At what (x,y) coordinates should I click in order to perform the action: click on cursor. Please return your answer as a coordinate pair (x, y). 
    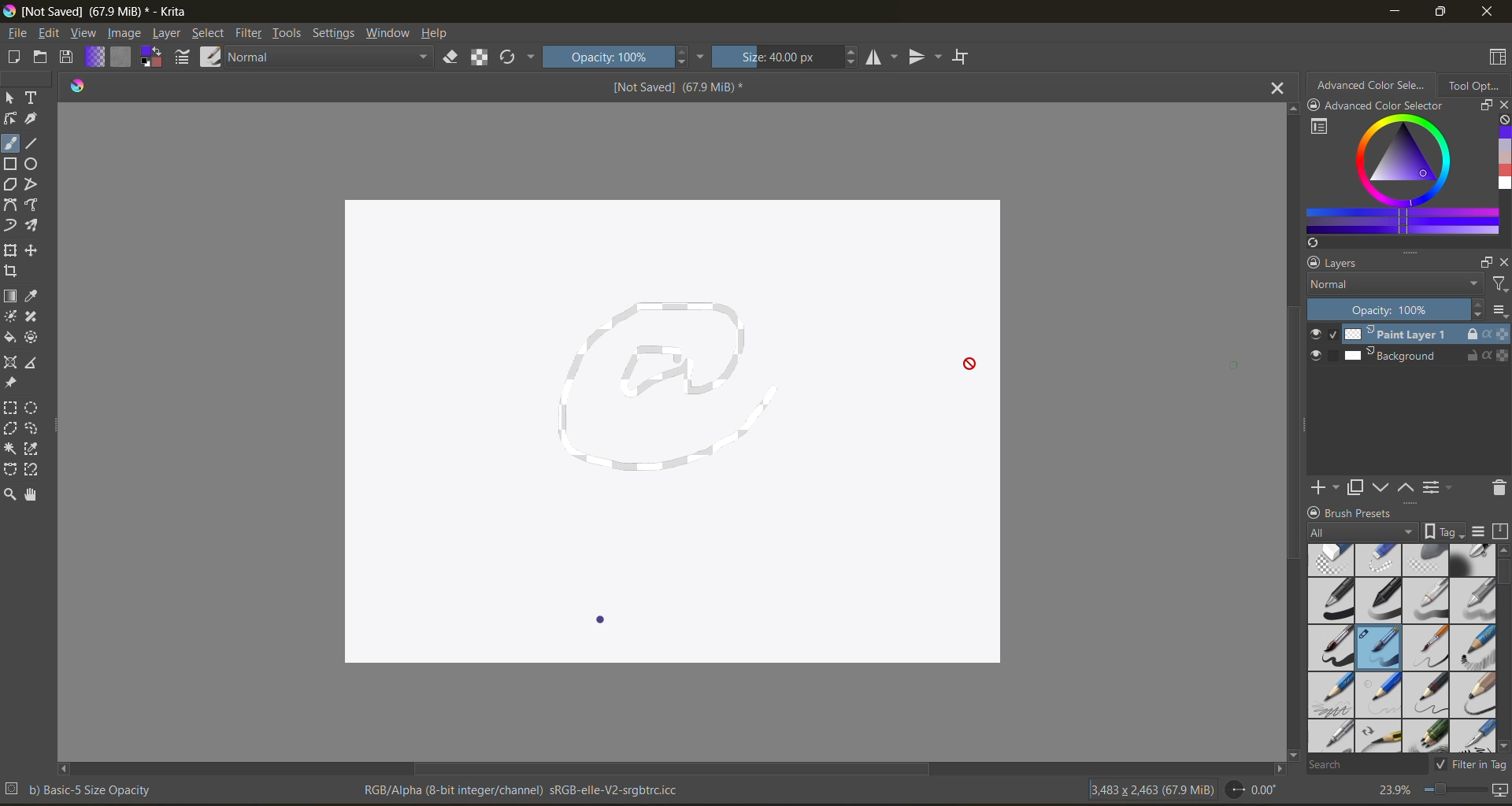
    Looking at the image, I should click on (1469, 338).